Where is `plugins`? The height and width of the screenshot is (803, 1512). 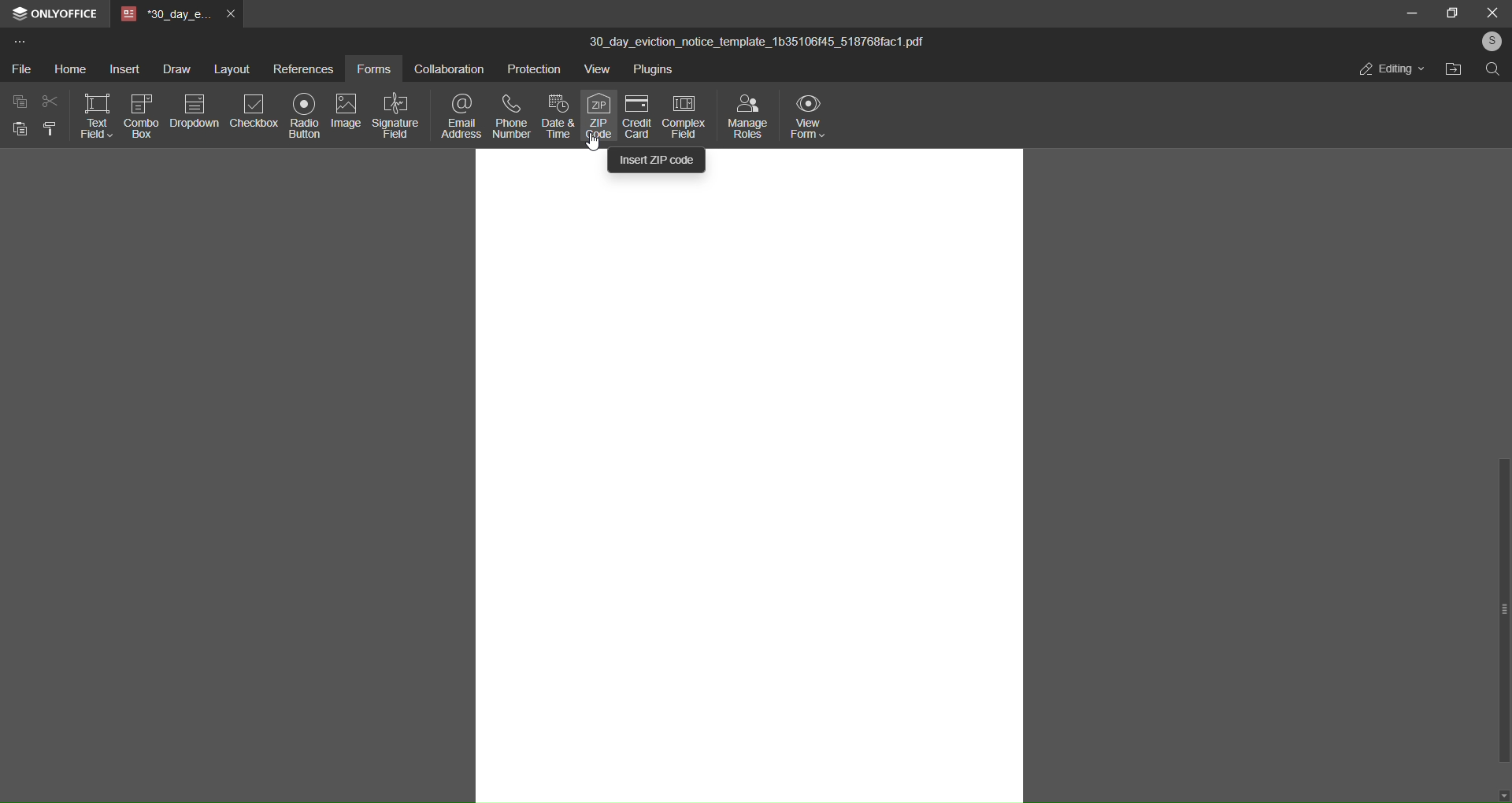 plugins is located at coordinates (653, 70).